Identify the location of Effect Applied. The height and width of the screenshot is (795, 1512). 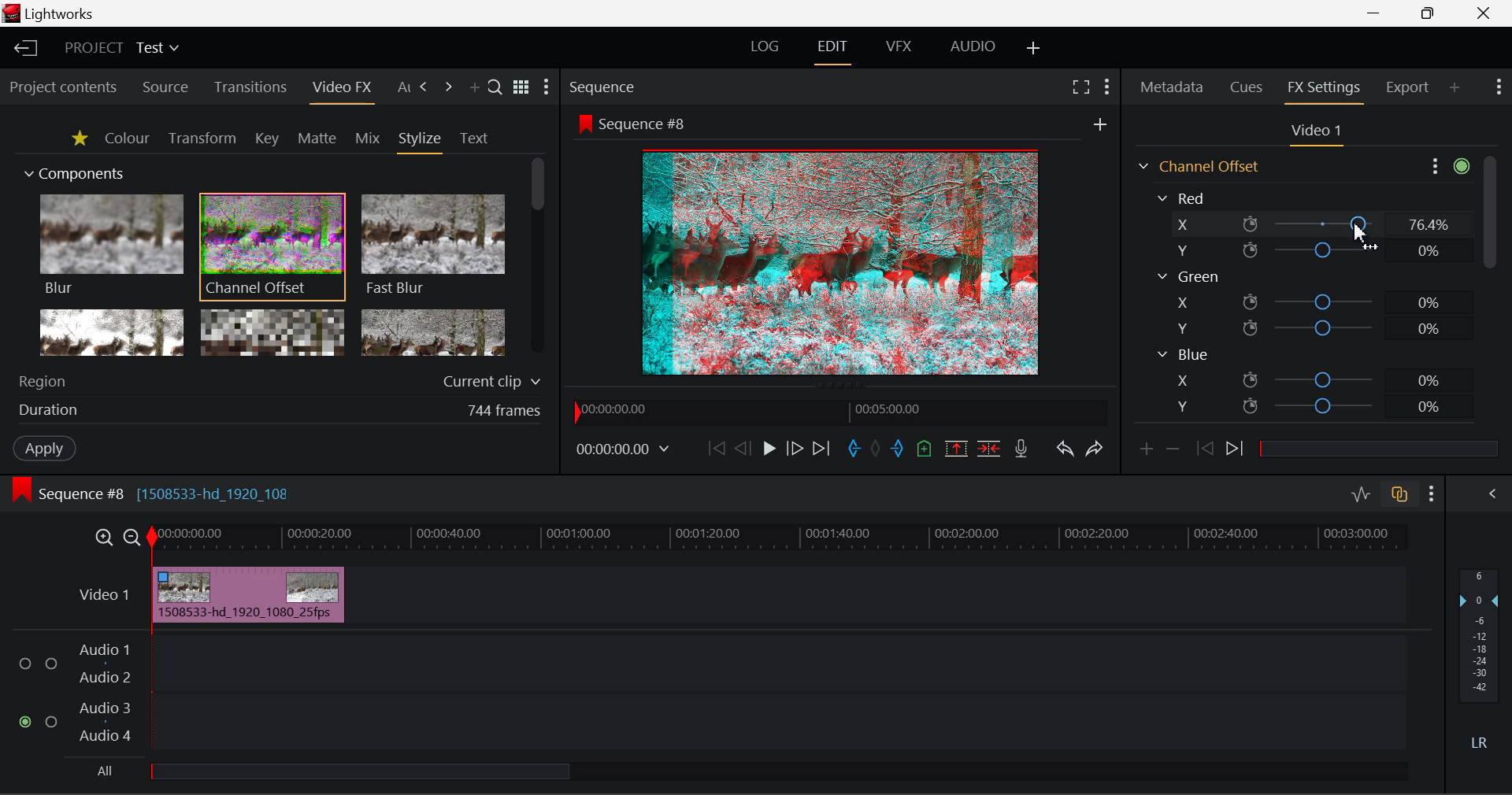
(250, 592).